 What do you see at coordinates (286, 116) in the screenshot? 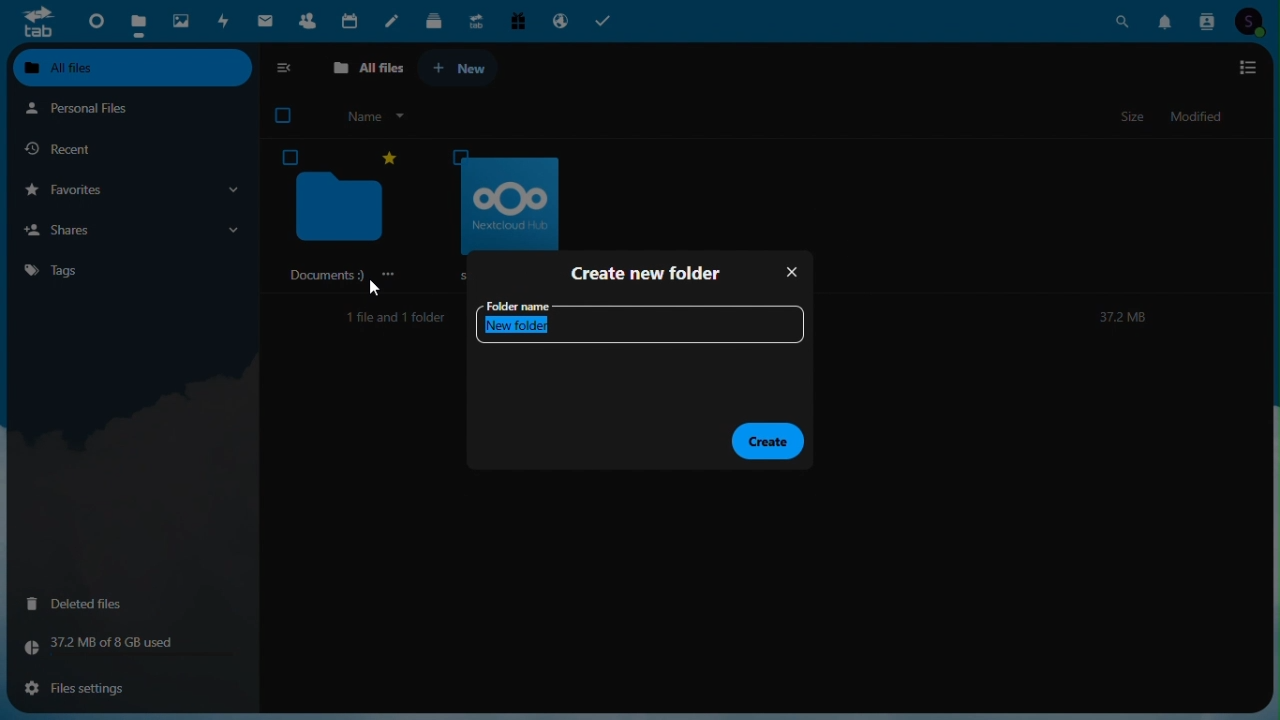
I see `checkbox` at bounding box center [286, 116].